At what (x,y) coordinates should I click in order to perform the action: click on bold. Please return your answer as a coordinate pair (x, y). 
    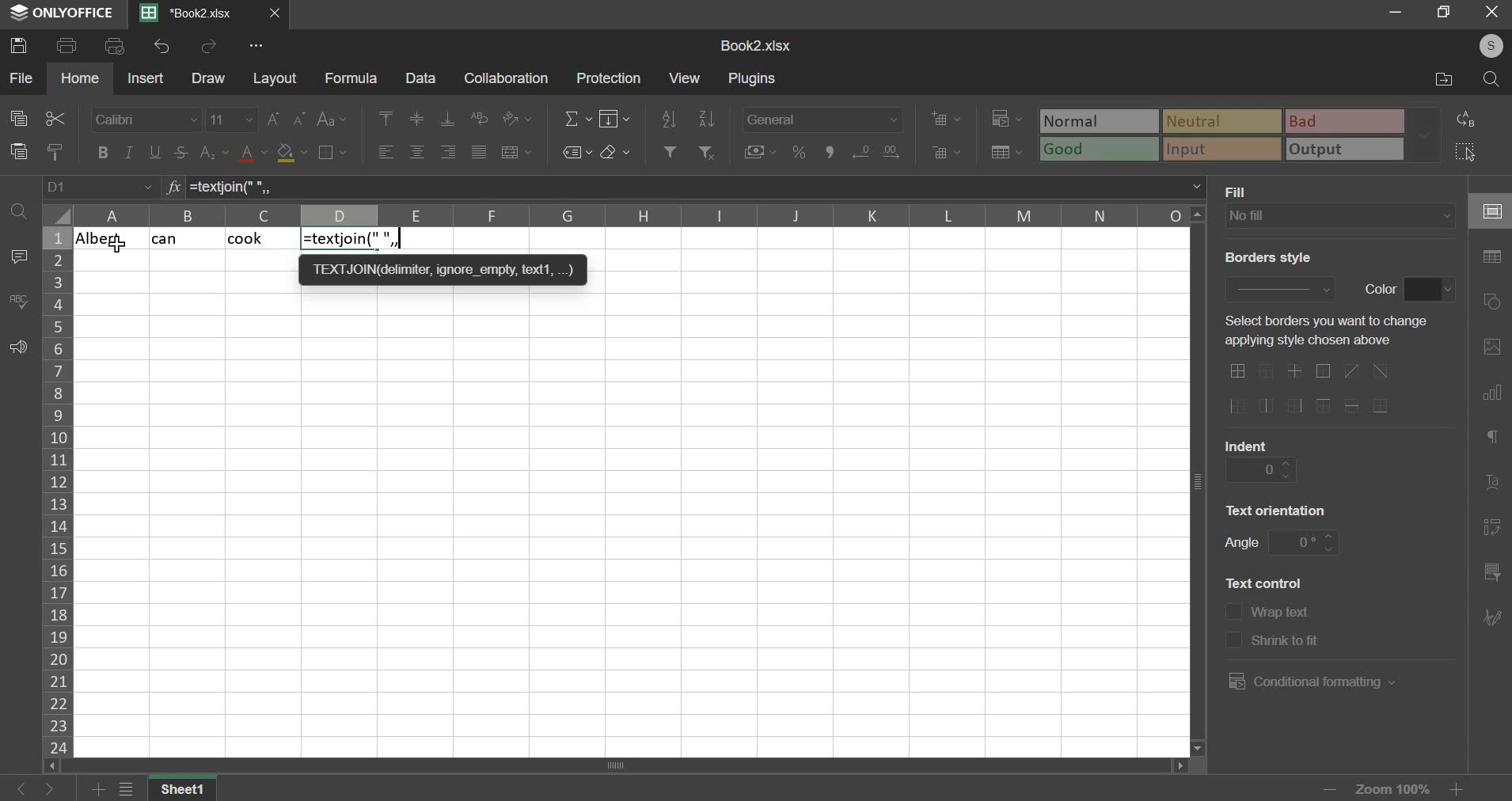
    Looking at the image, I should click on (101, 152).